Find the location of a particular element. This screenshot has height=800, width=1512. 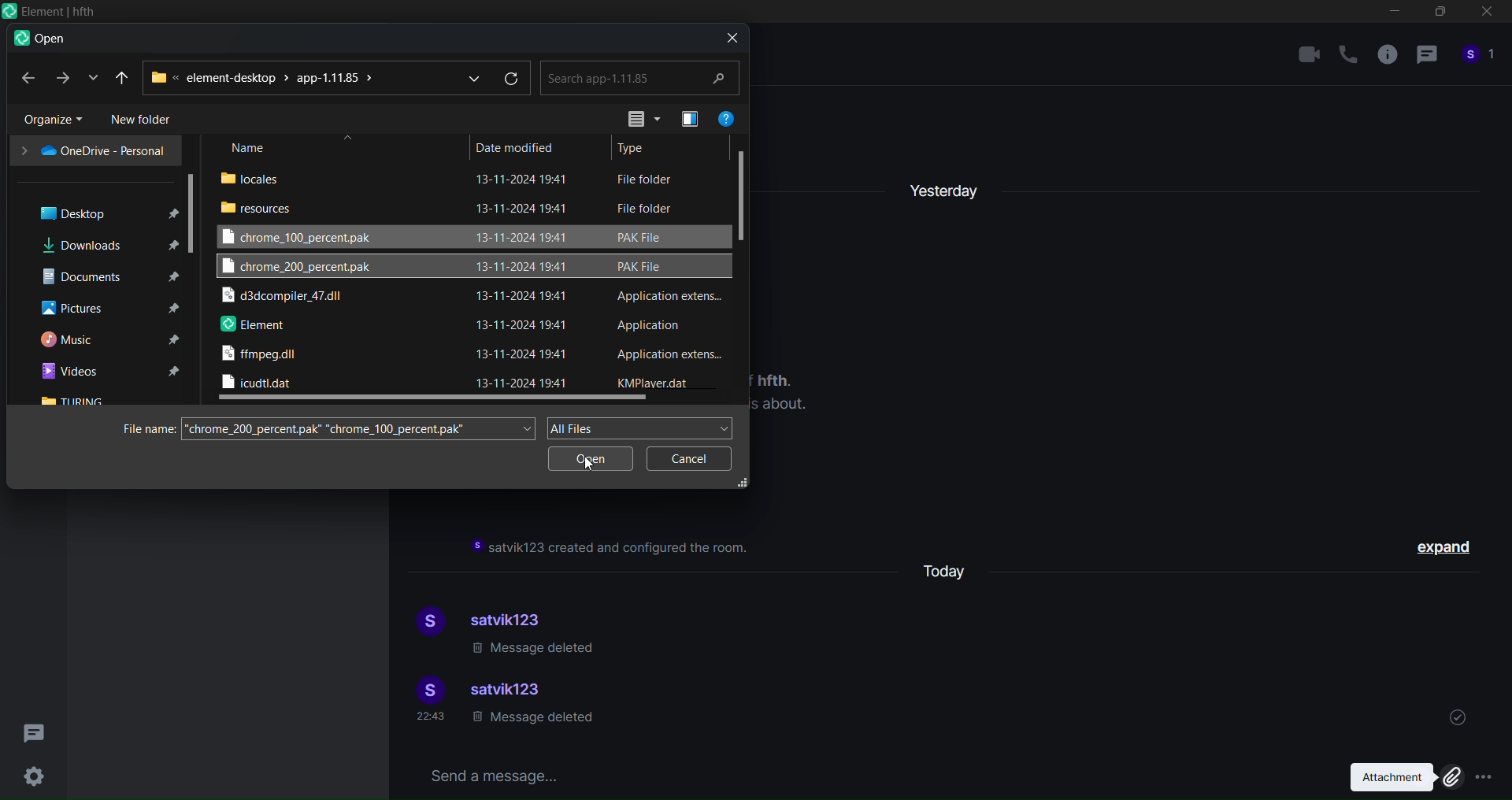

sent is located at coordinates (1458, 715).